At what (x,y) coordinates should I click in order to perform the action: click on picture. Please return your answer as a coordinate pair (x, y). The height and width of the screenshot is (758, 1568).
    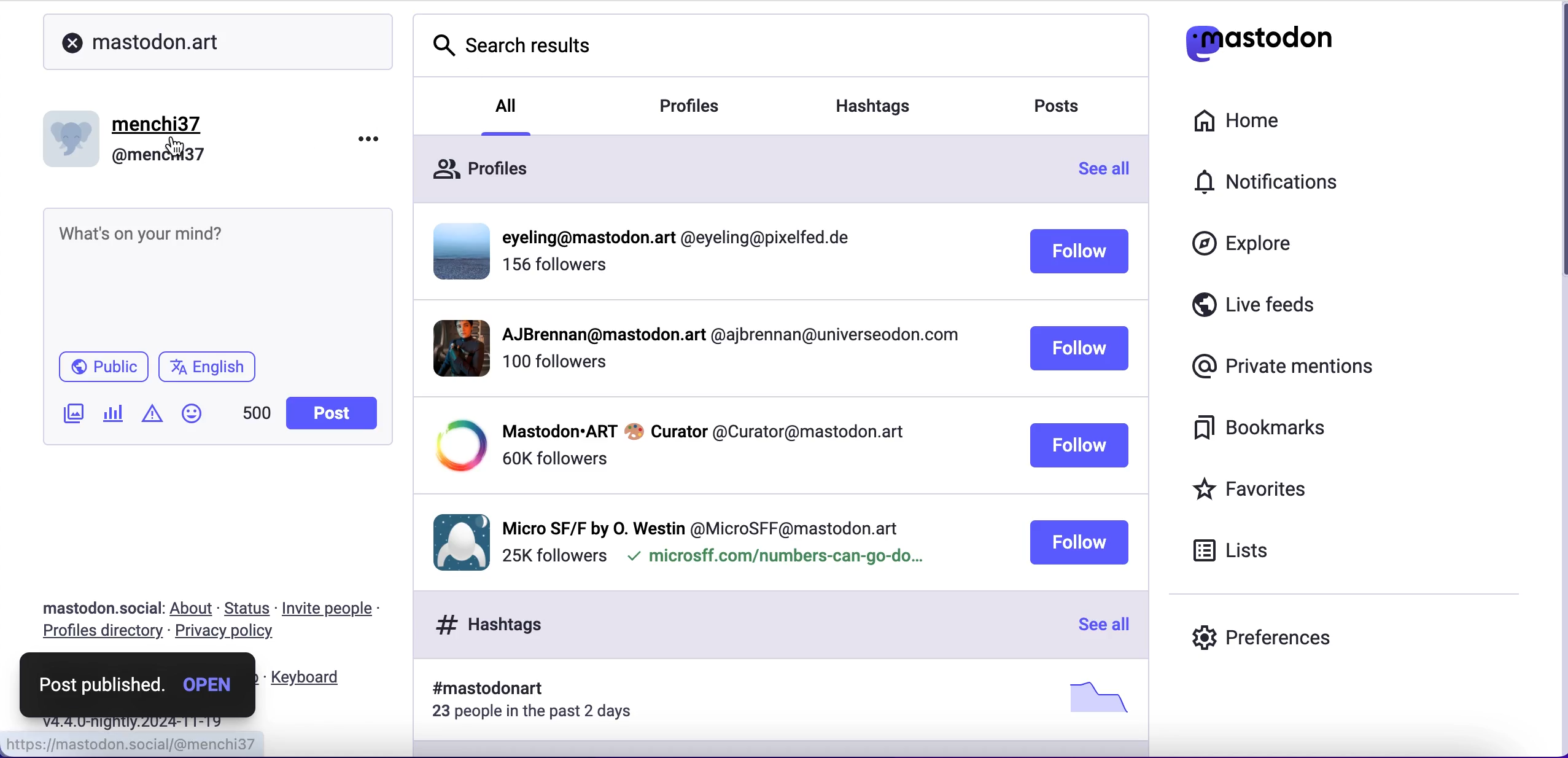
    Looking at the image, I should click on (1091, 697).